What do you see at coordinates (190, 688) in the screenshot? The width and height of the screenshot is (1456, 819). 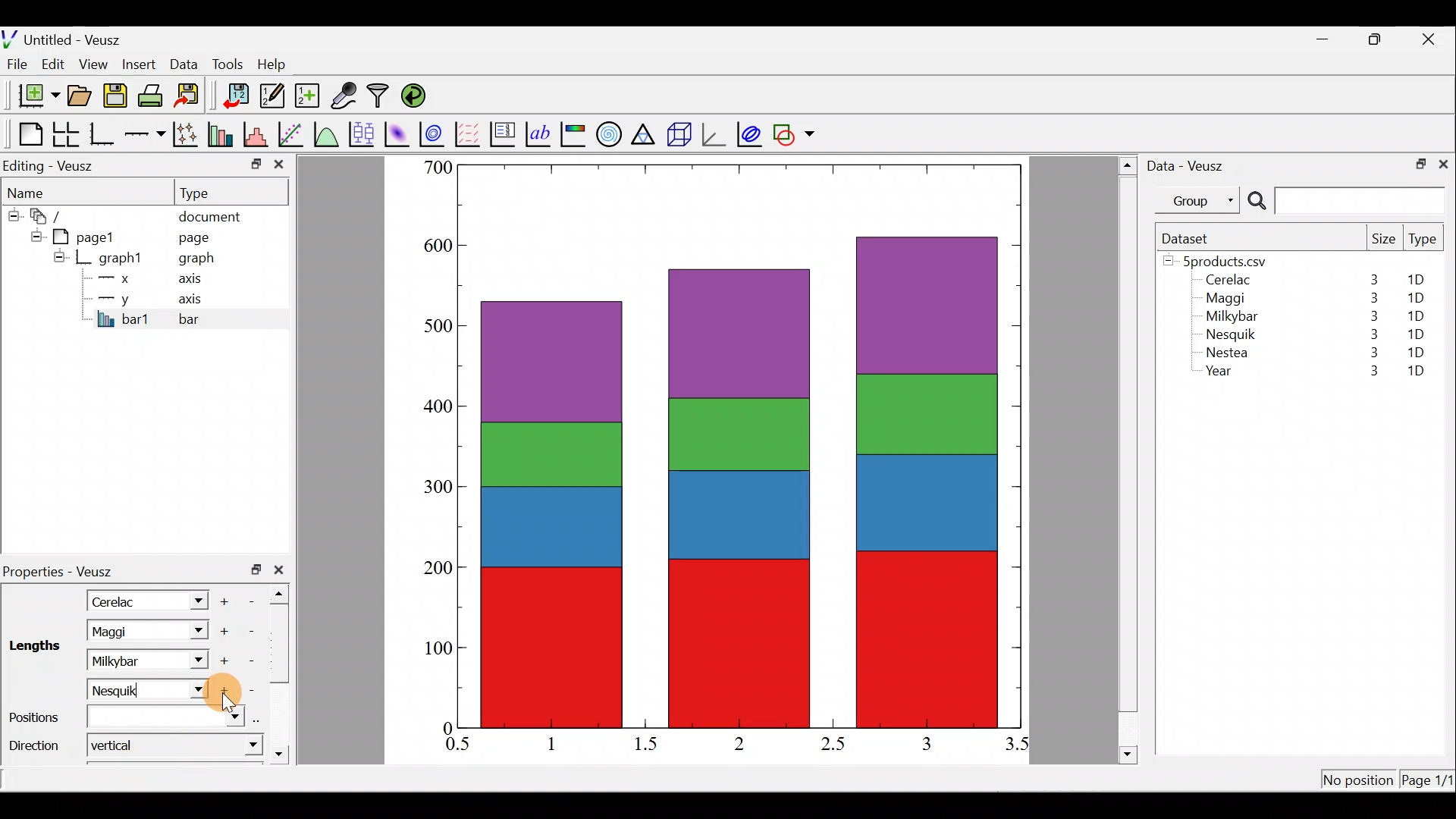 I see `Length dropdown` at bounding box center [190, 688].